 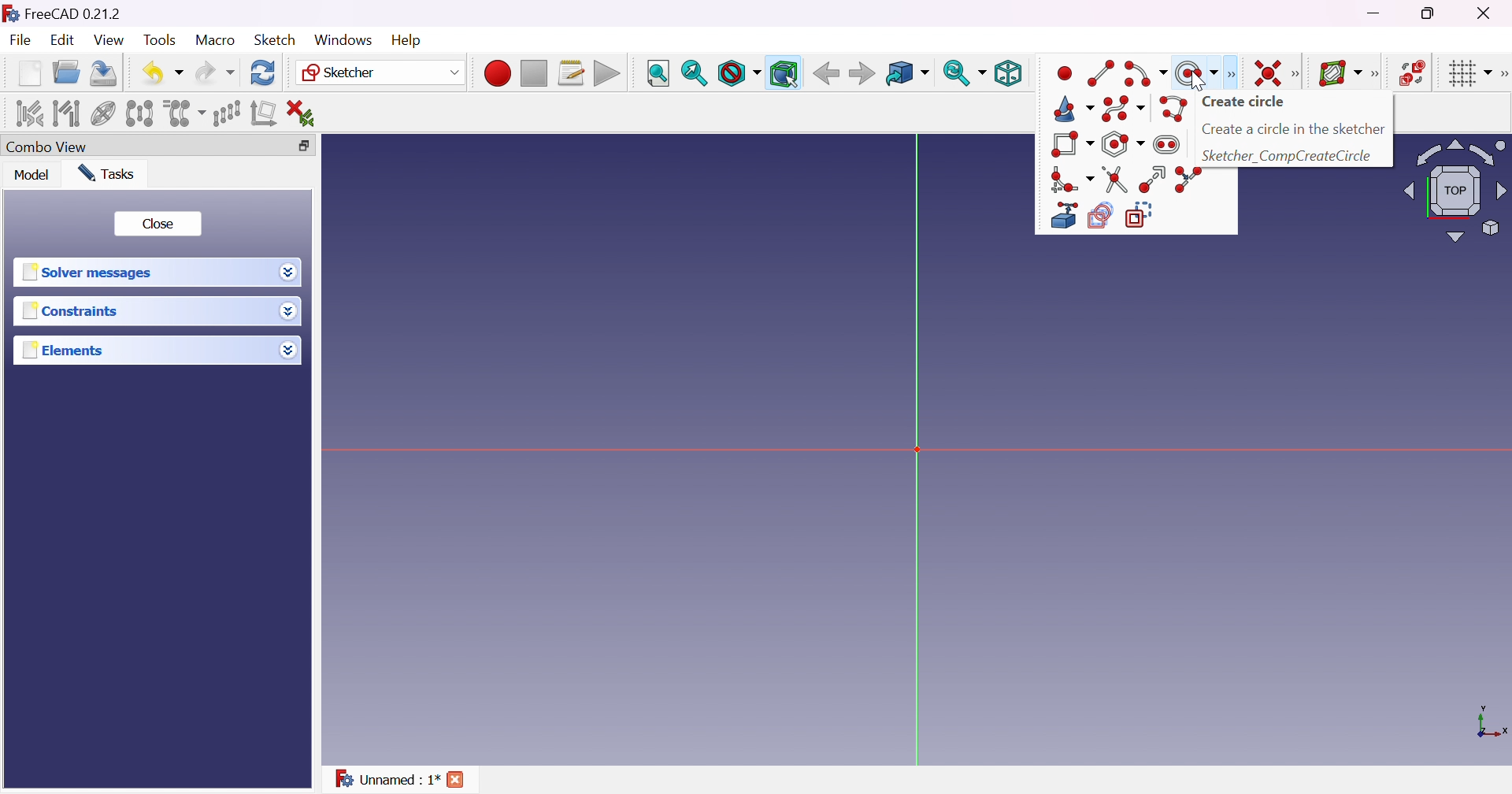 What do you see at coordinates (67, 114) in the screenshot?
I see `Select associated geometry` at bounding box center [67, 114].